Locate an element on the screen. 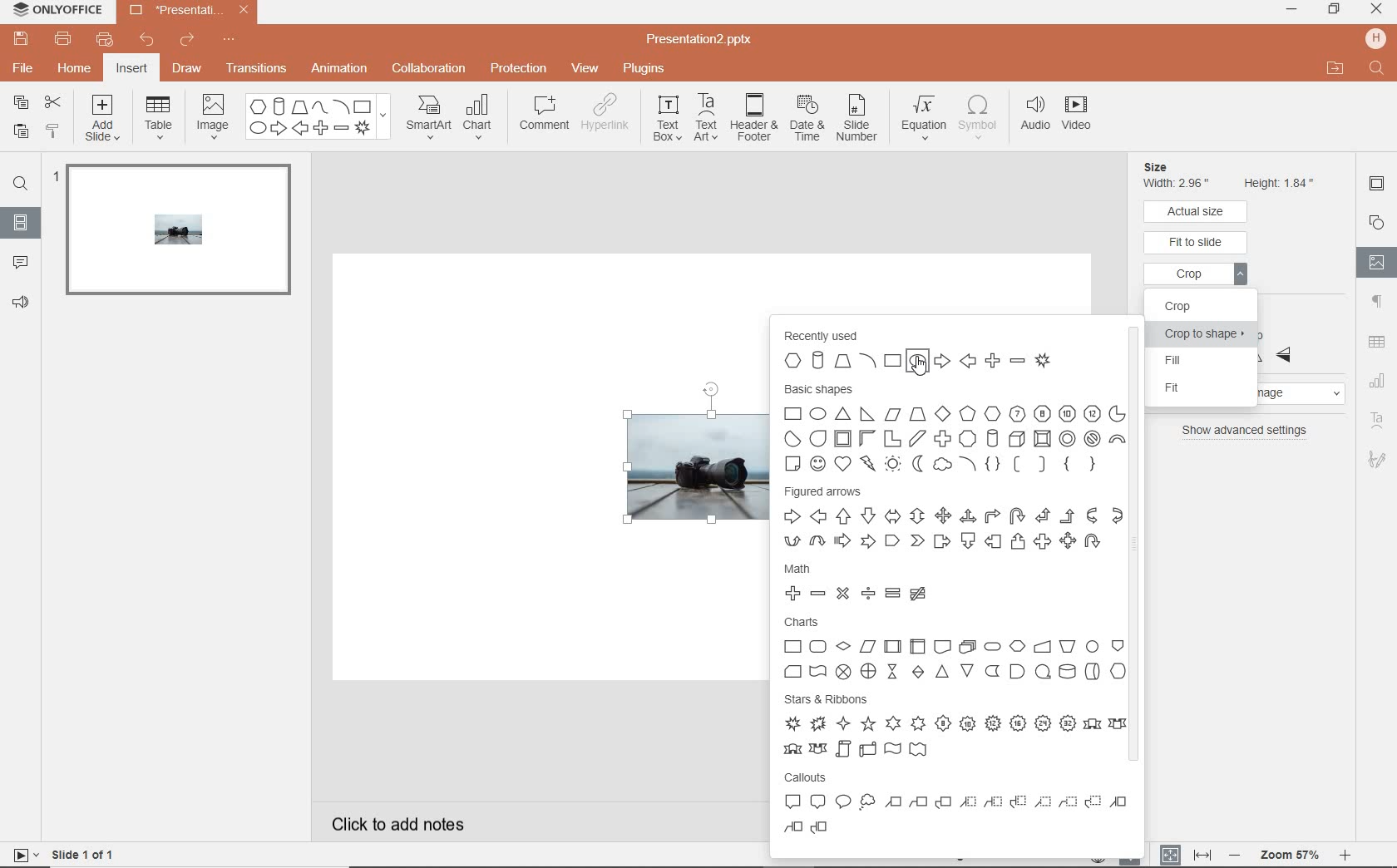 The image size is (1397, 868). customize quick access toolbar is located at coordinates (239, 42).